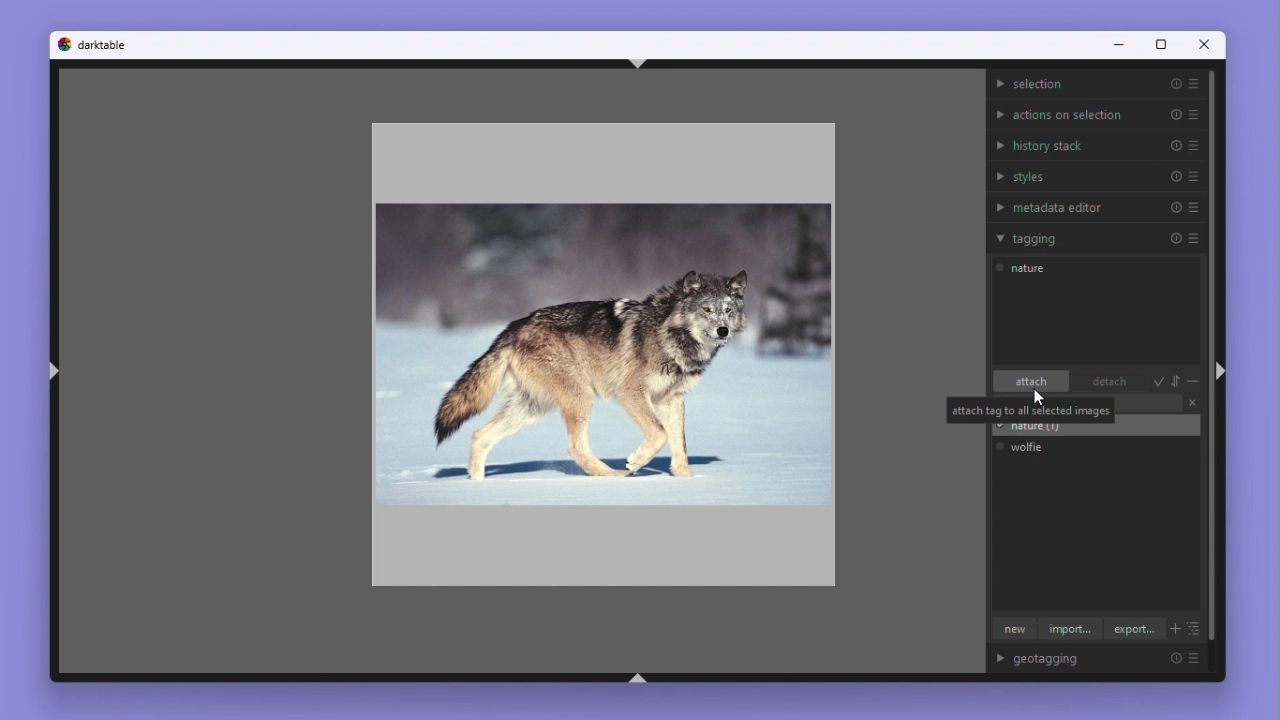 This screenshot has height=720, width=1280. What do you see at coordinates (1032, 383) in the screenshot?
I see `Attach` at bounding box center [1032, 383].